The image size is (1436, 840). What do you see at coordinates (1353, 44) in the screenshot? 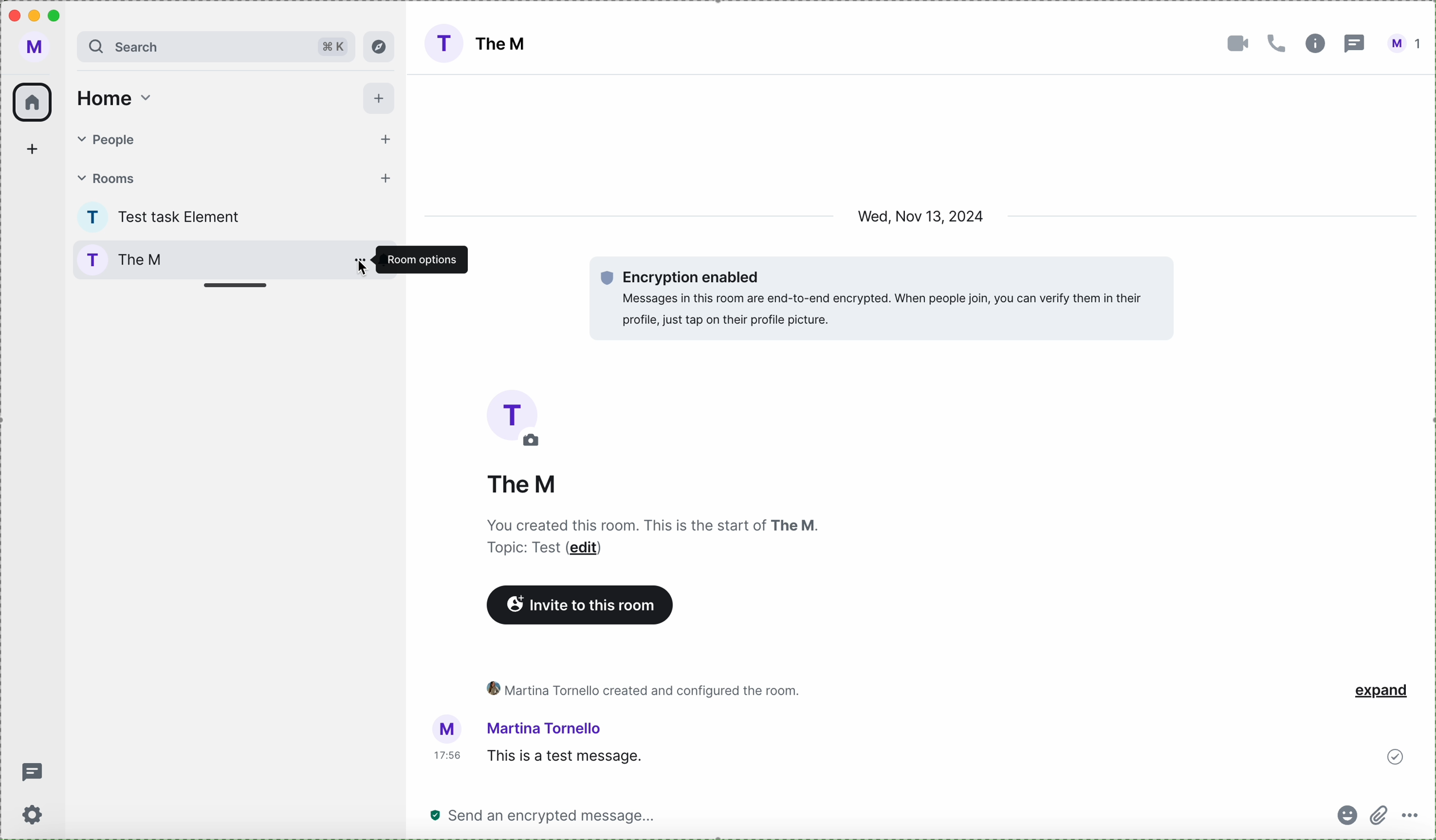
I see `threads` at bounding box center [1353, 44].